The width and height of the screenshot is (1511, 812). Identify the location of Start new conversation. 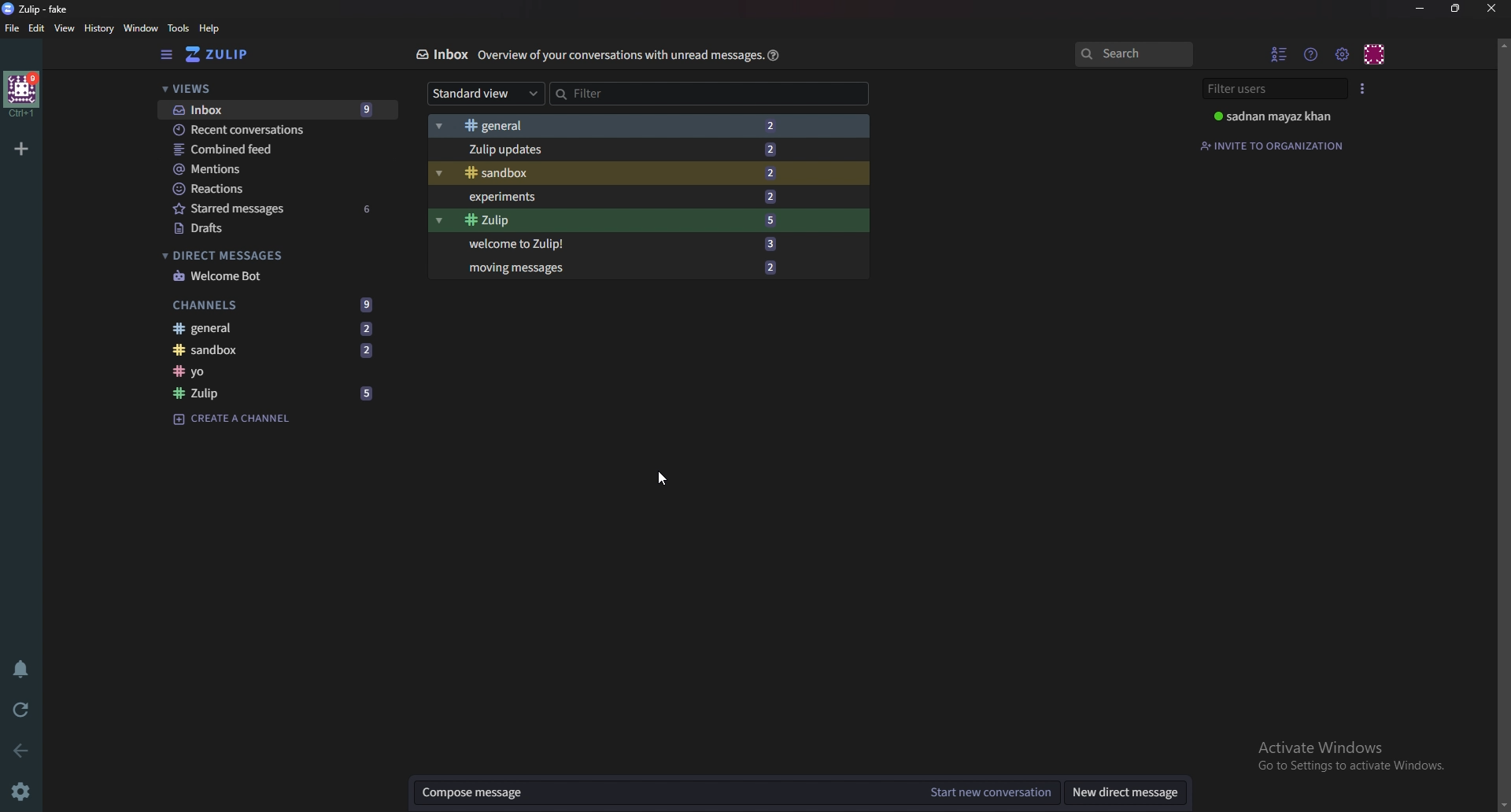
(994, 795).